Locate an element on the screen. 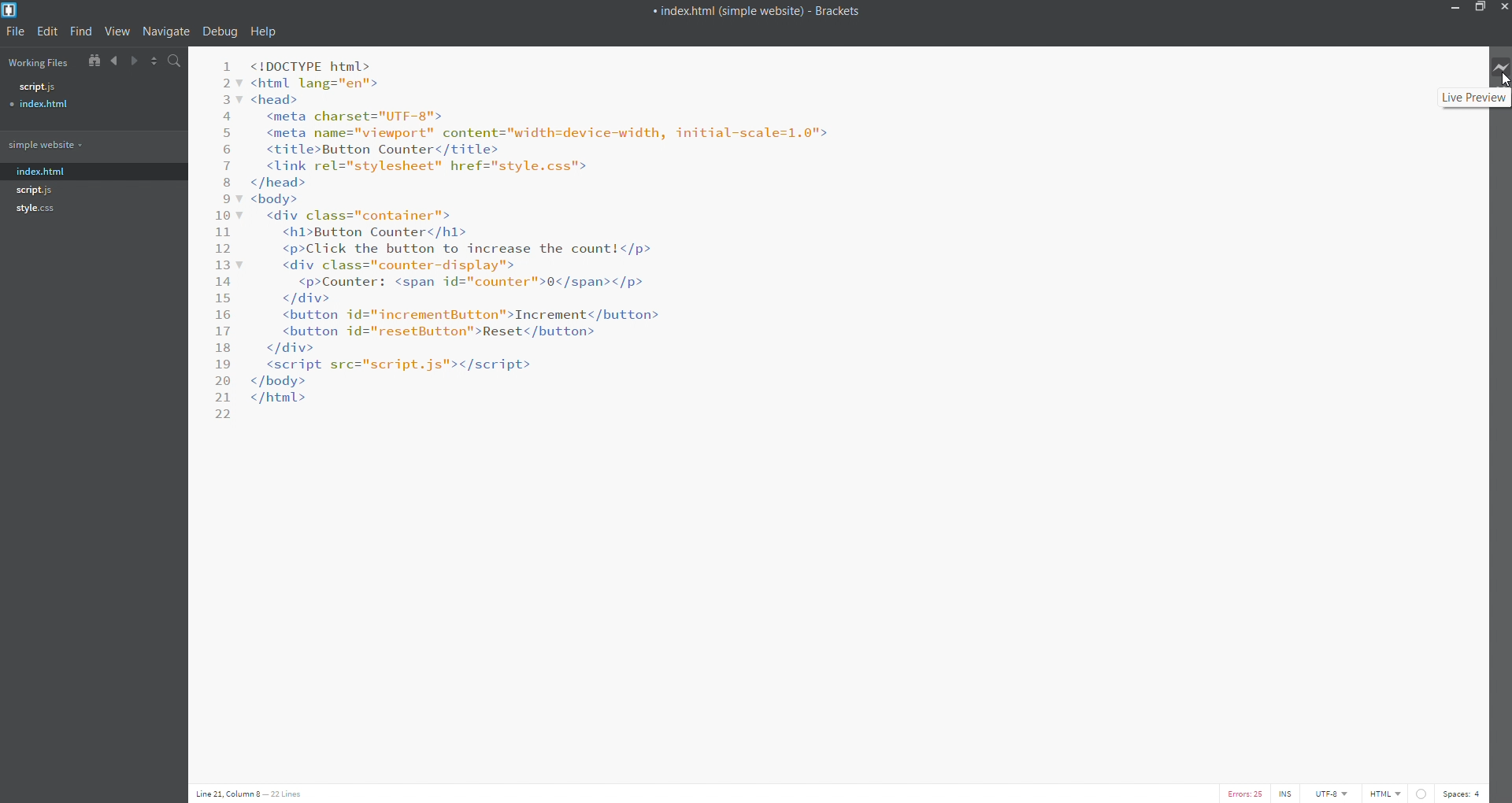 Image resolution: width=1512 pixels, height=803 pixels. cursor is located at coordinates (1503, 80).